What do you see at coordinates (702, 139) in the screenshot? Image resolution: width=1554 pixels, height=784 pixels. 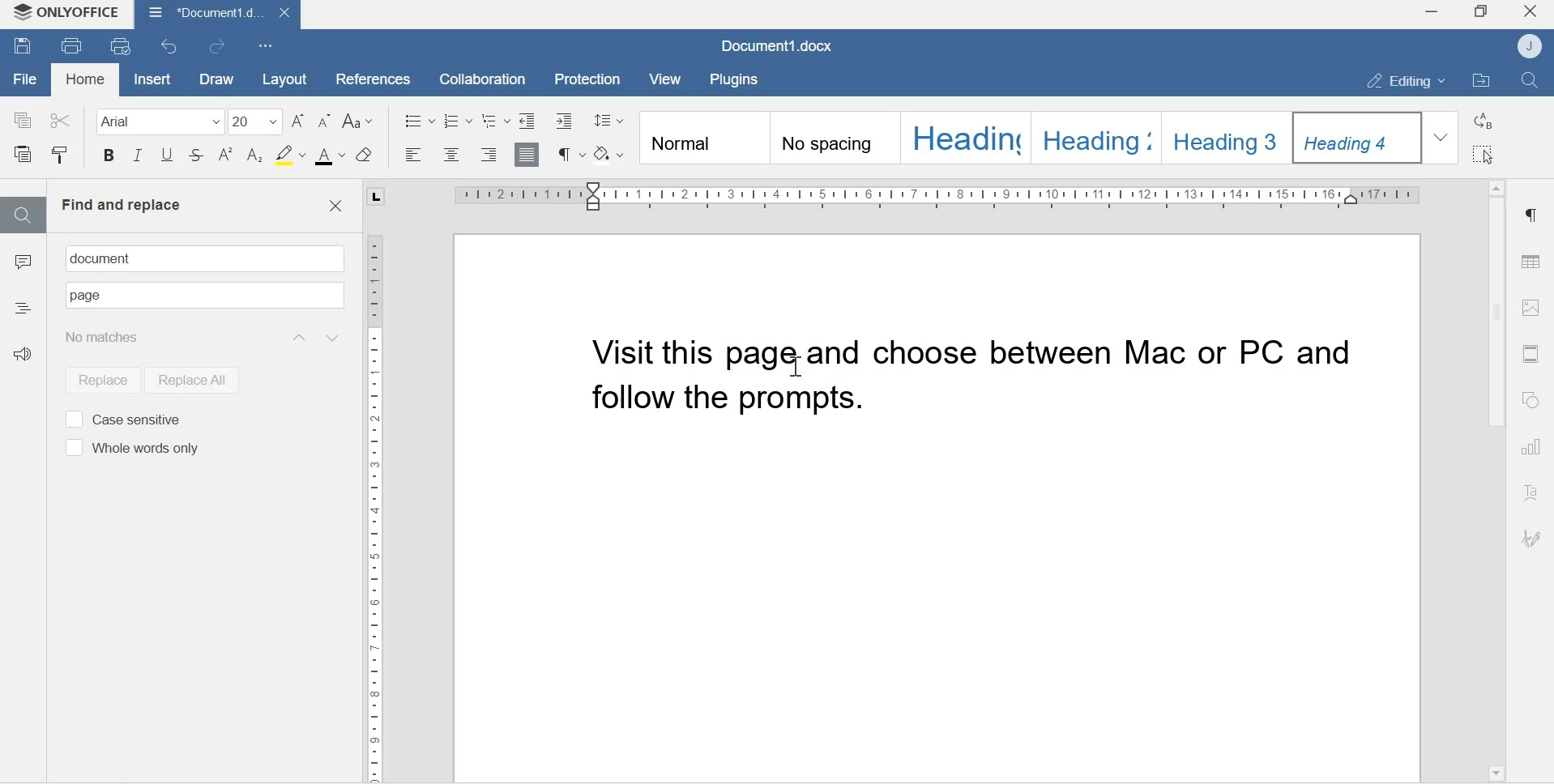 I see `Normal` at bounding box center [702, 139].